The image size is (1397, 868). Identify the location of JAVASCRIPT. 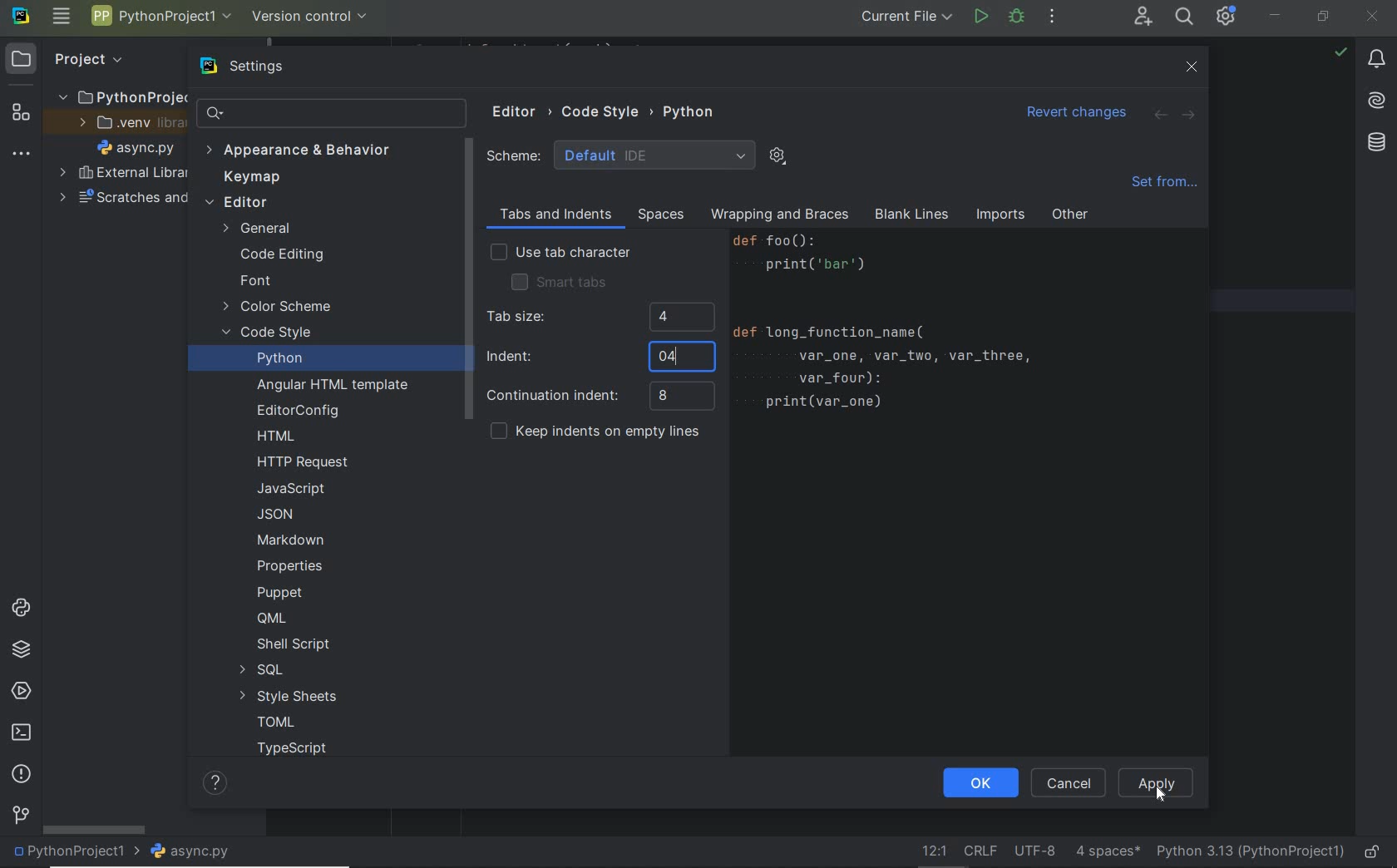
(289, 489).